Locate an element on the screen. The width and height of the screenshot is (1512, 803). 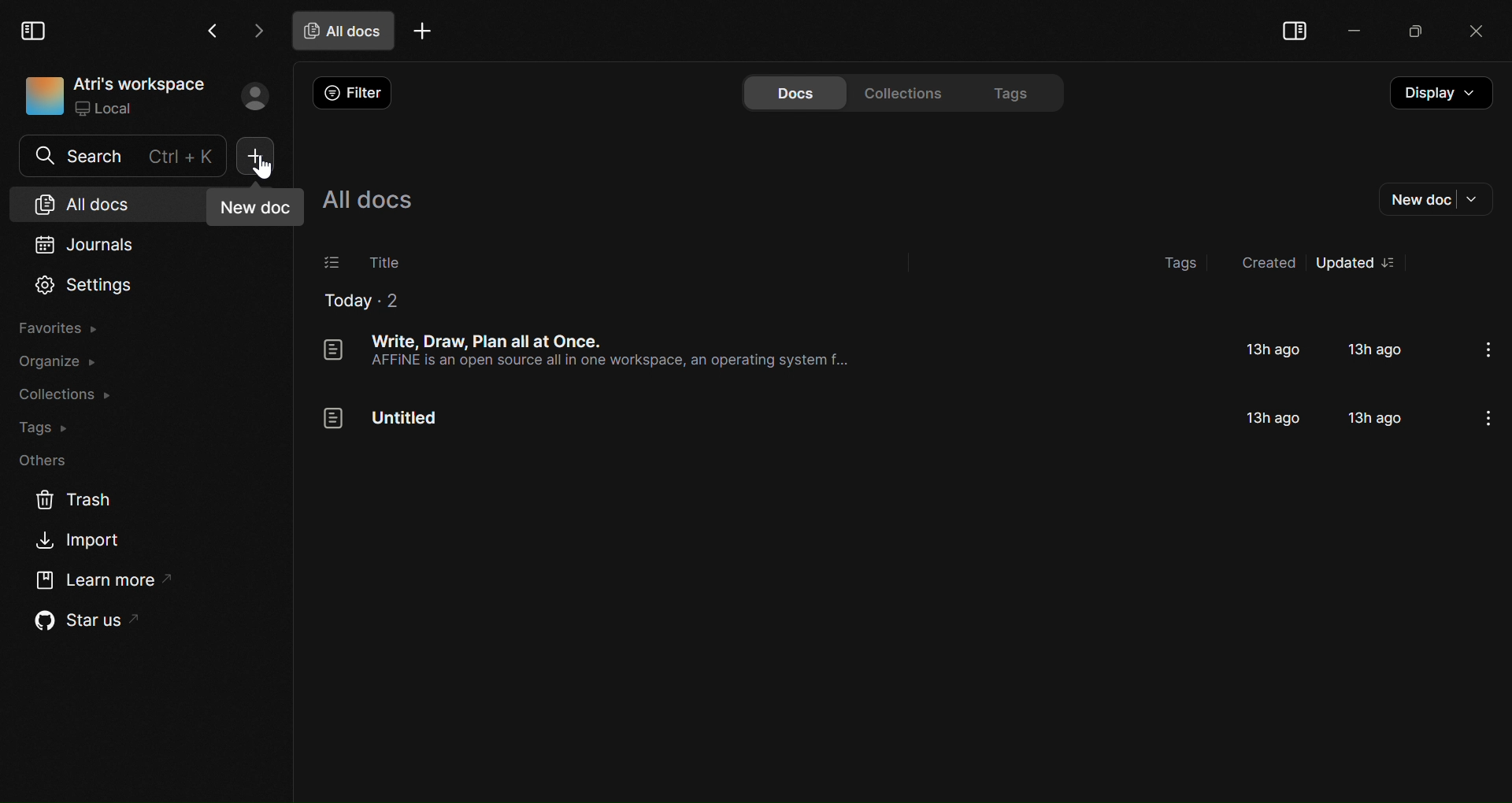
icon is located at coordinates (41, 96).